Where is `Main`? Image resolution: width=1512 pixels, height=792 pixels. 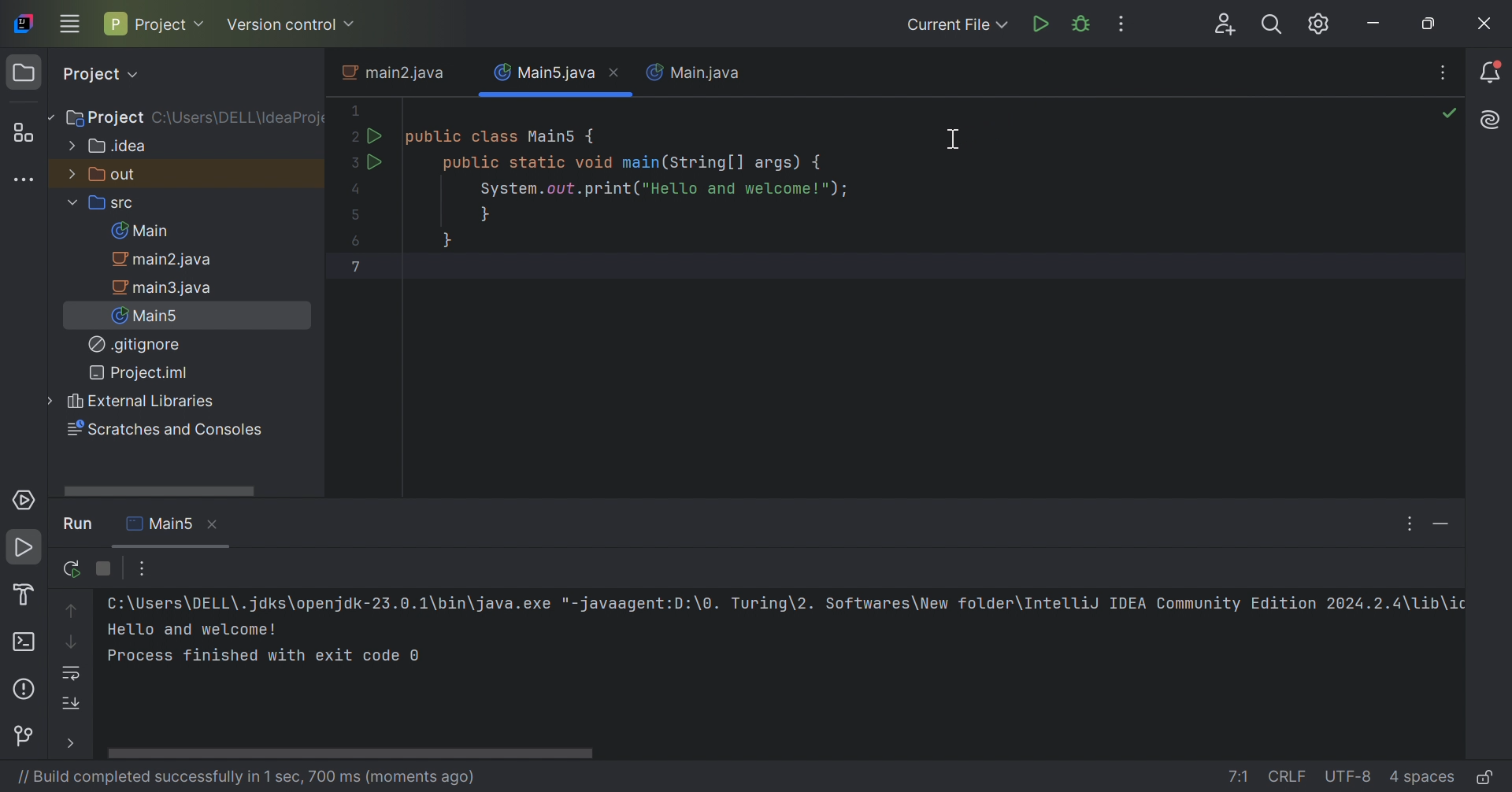
Main is located at coordinates (139, 232).